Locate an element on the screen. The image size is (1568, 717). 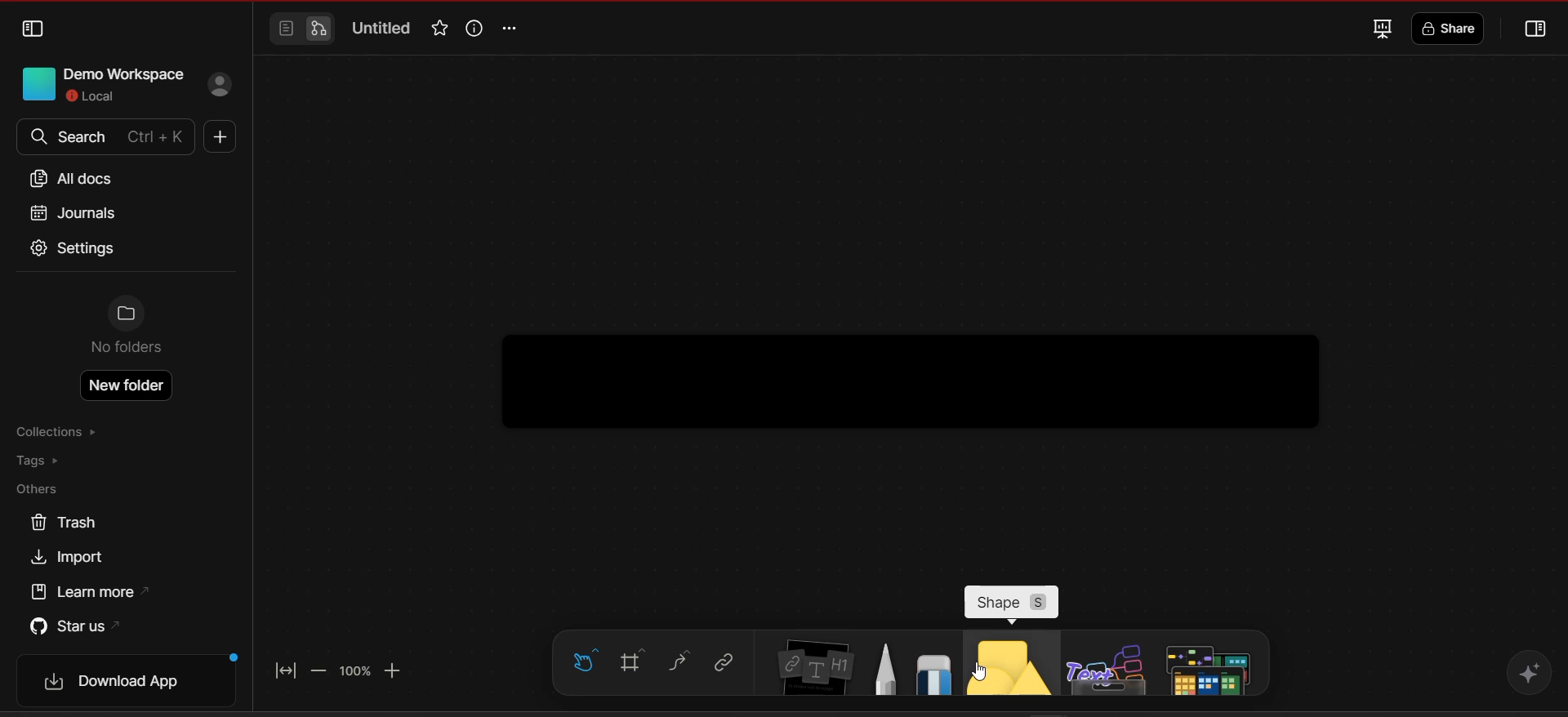
collapse sidebar is located at coordinates (33, 29).